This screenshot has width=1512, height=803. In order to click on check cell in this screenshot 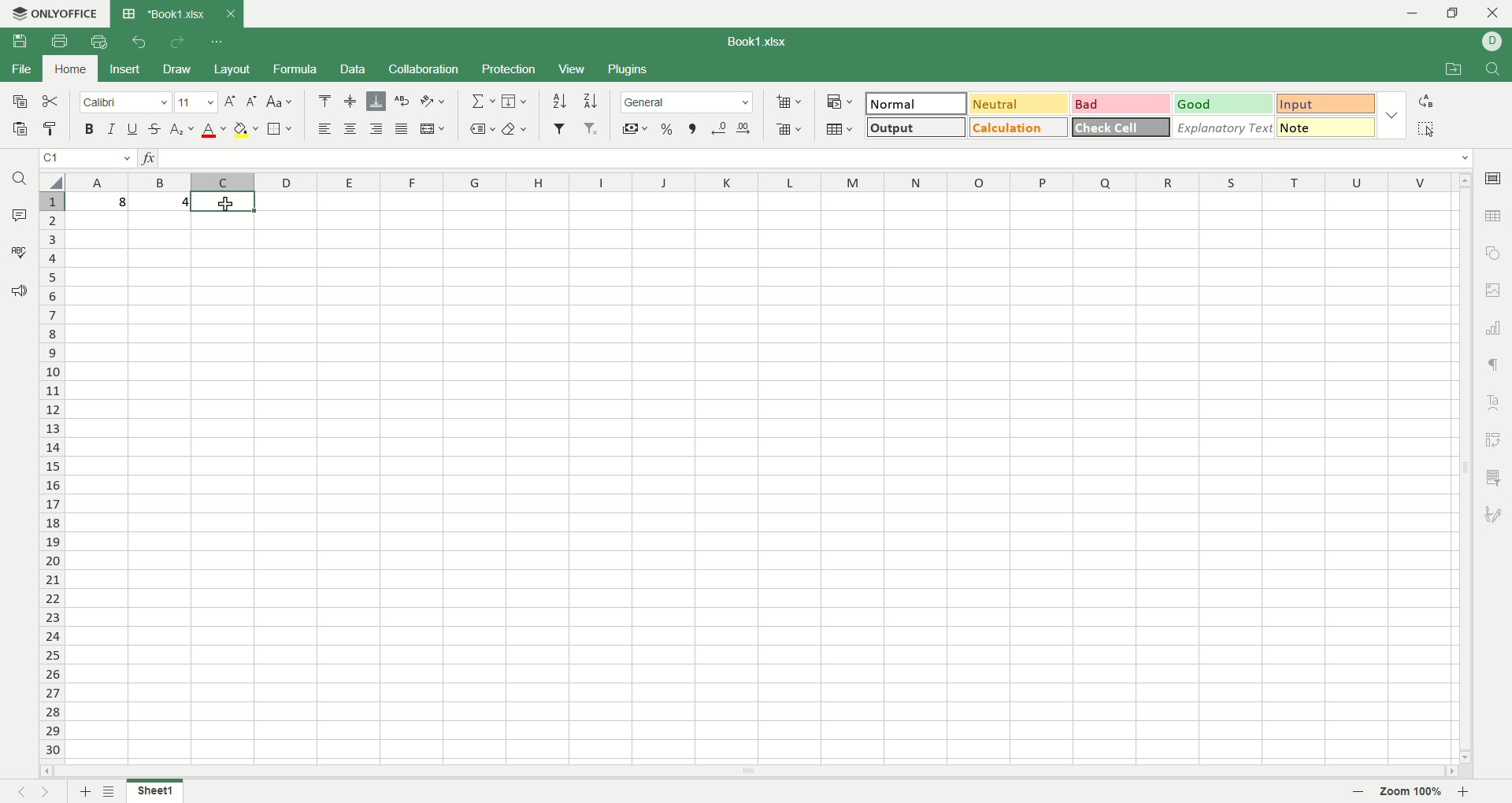, I will do `click(1121, 128)`.